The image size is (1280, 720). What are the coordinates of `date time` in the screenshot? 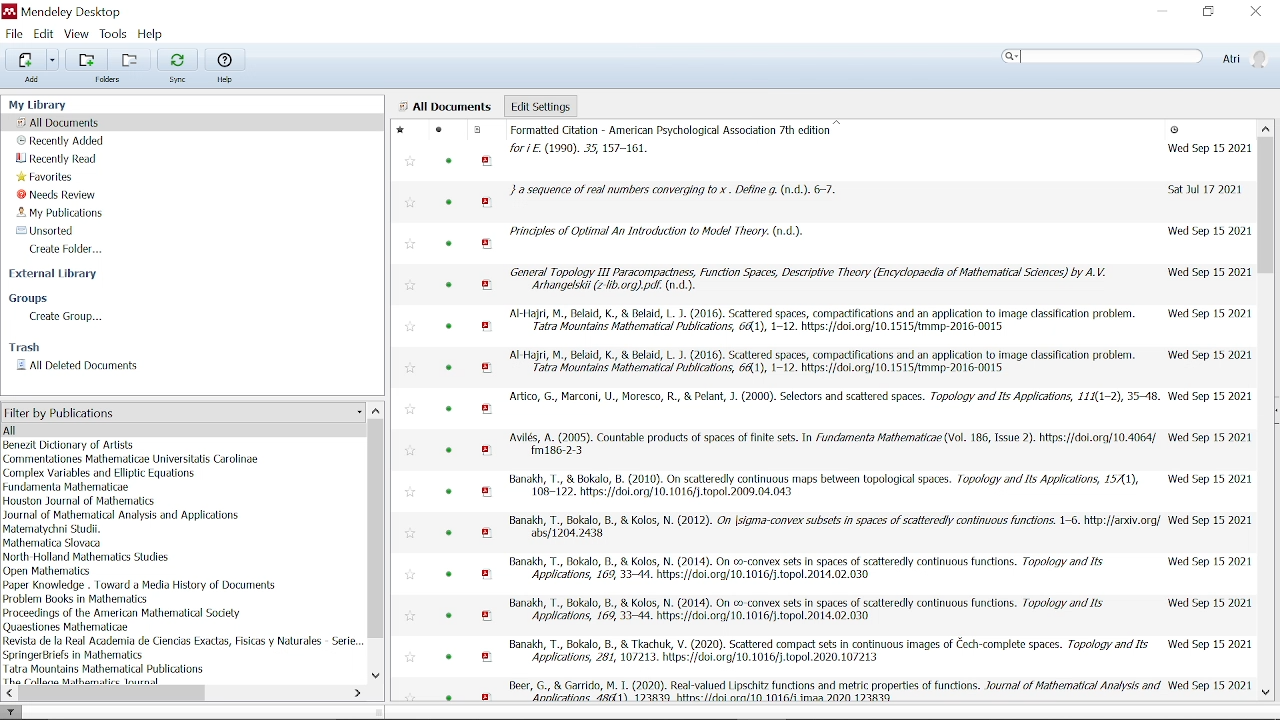 It's located at (1208, 561).